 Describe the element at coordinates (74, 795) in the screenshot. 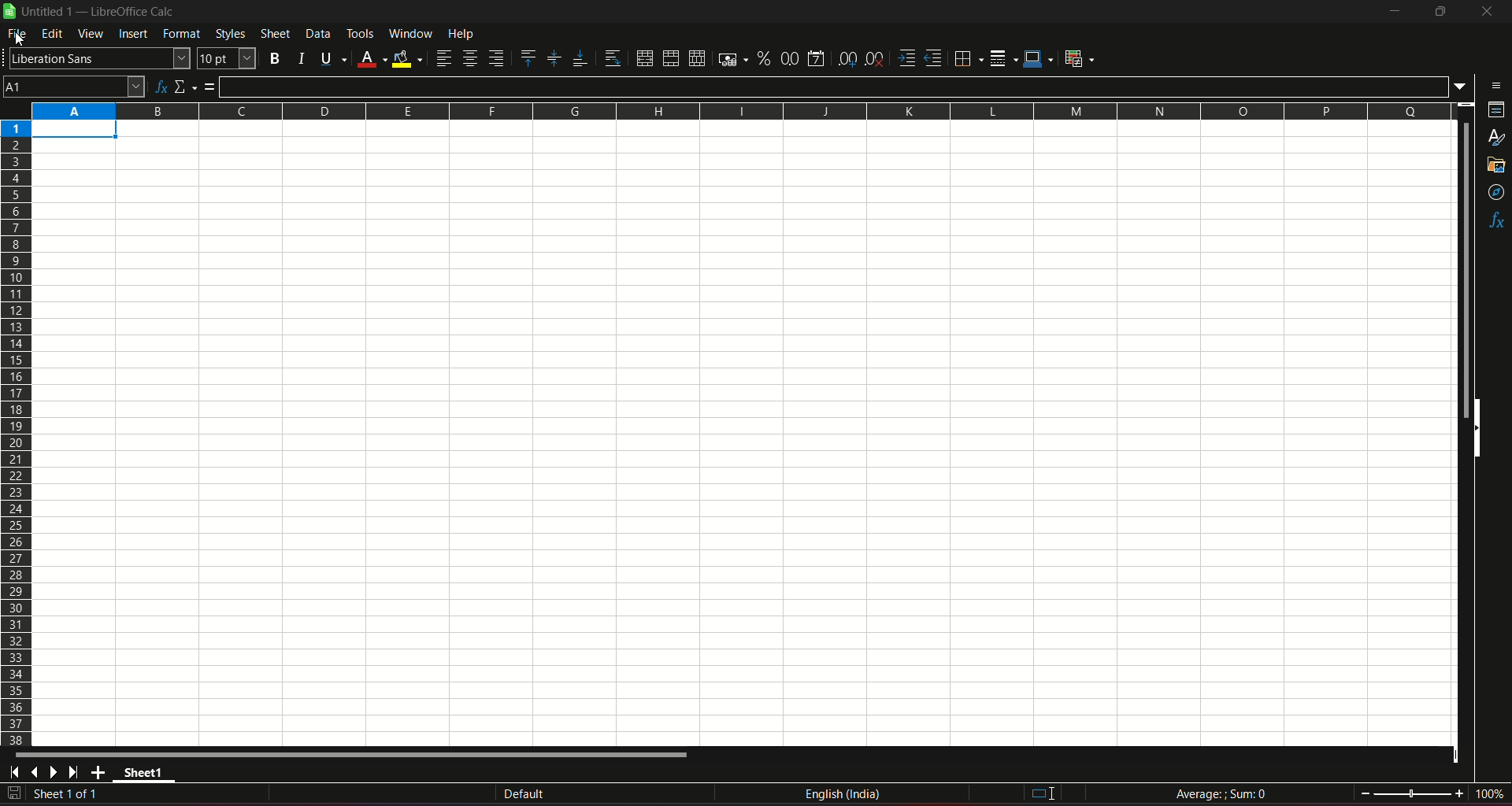

I see `sheet number` at that location.